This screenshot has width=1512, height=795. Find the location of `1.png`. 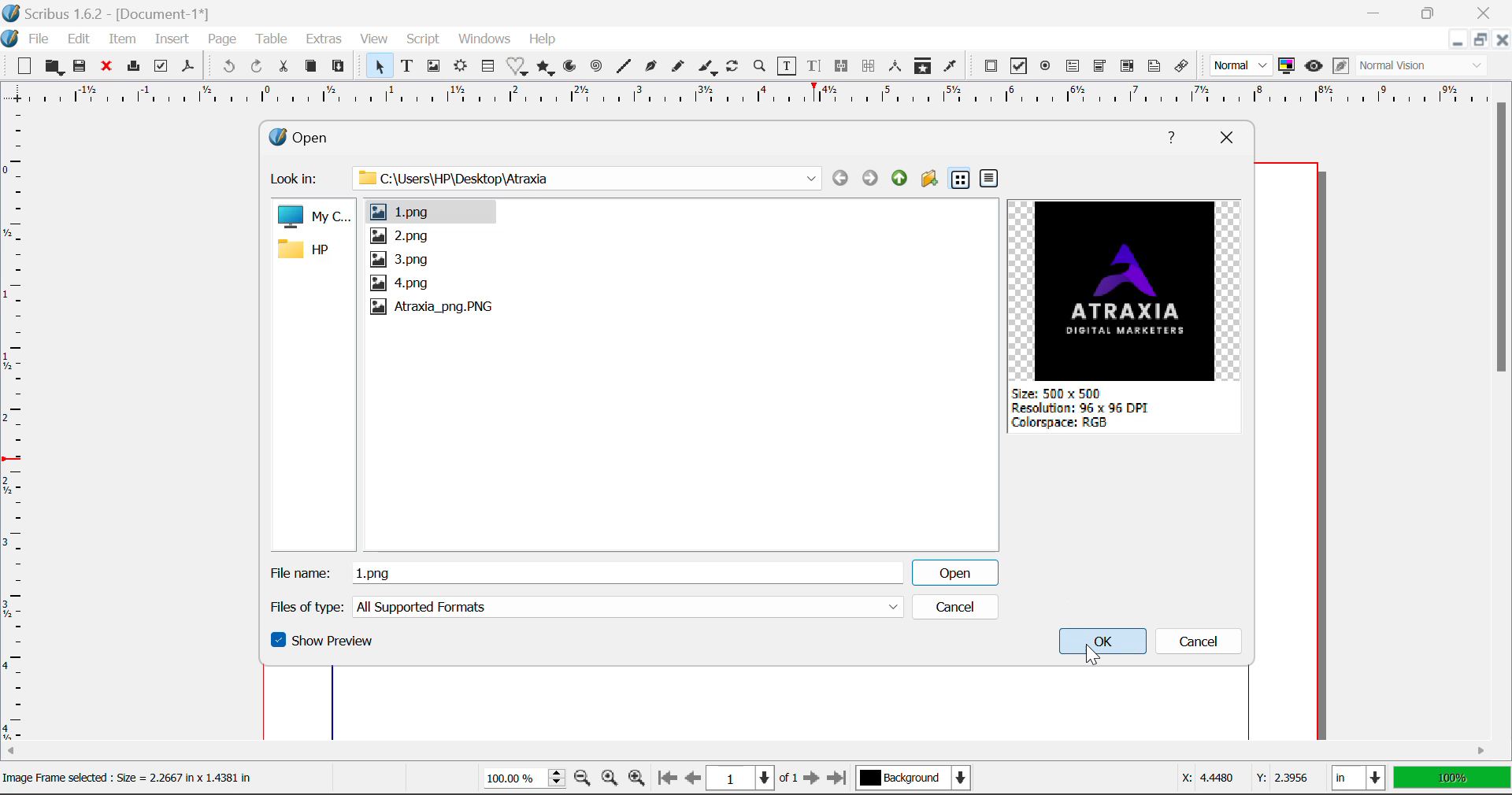

1.png is located at coordinates (428, 211).